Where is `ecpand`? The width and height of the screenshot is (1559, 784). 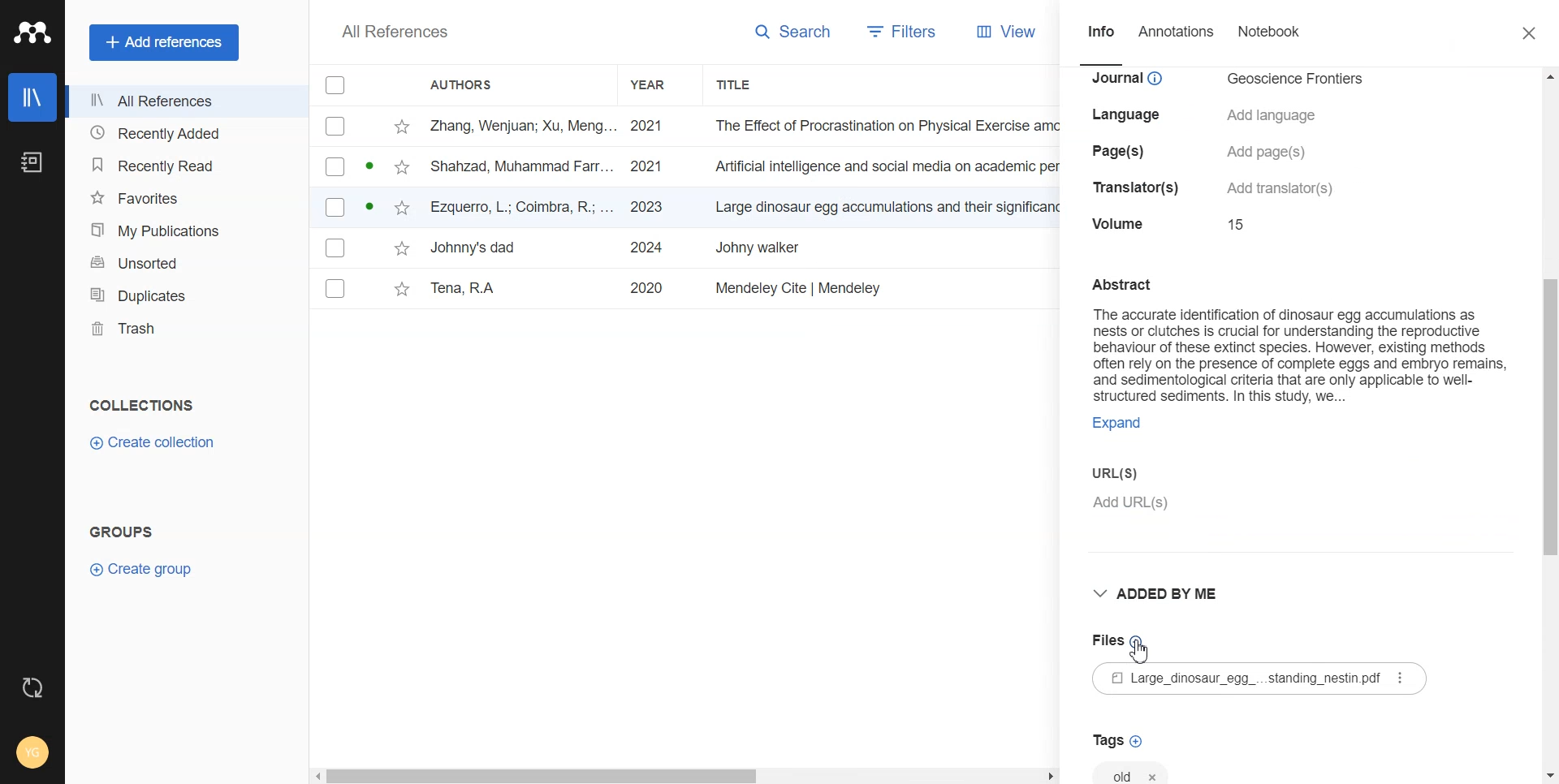
ecpand is located at coordinates (1113, 423).